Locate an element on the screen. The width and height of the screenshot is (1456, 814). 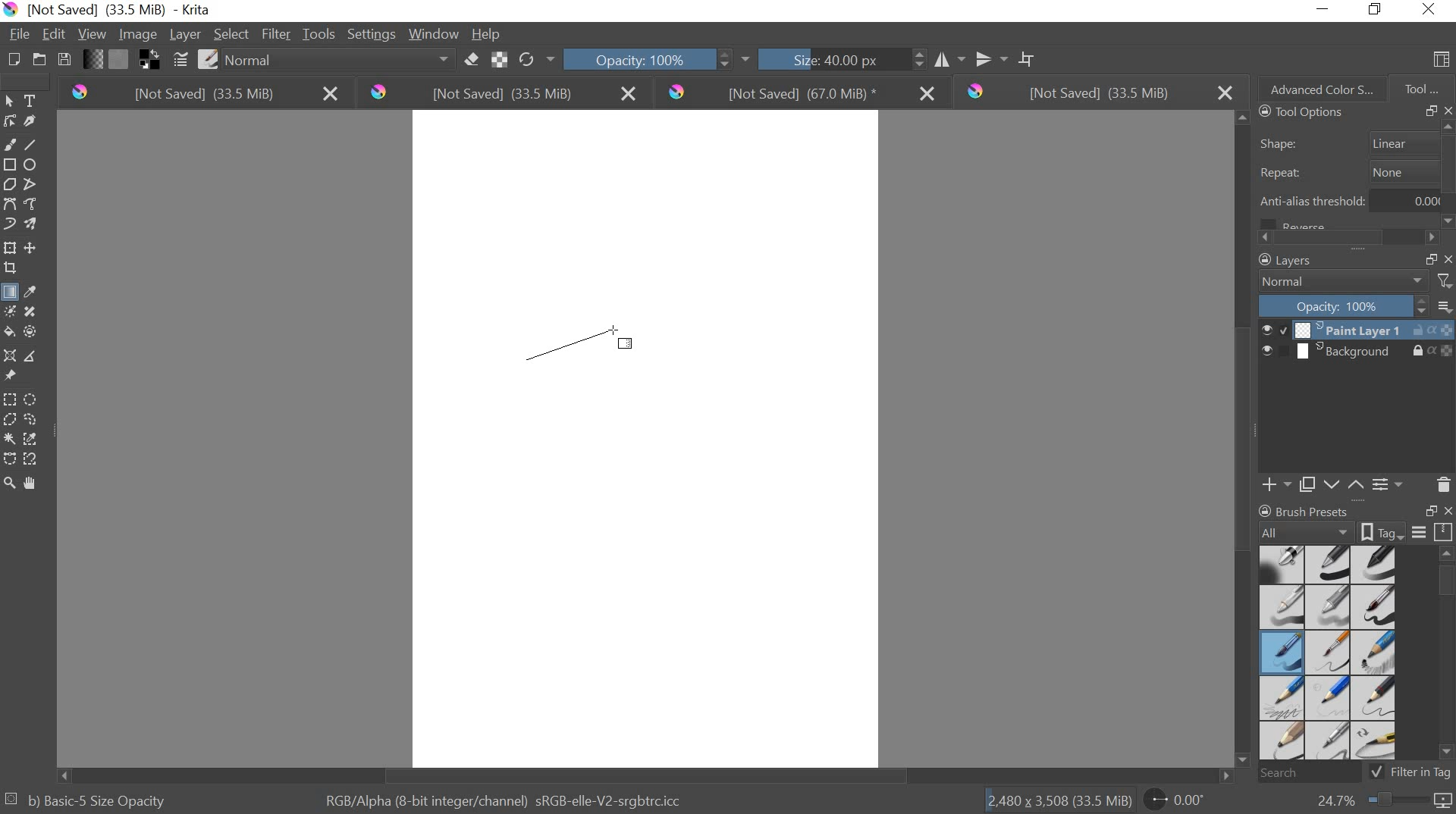
LAYER is located at coordinates (184, 35).